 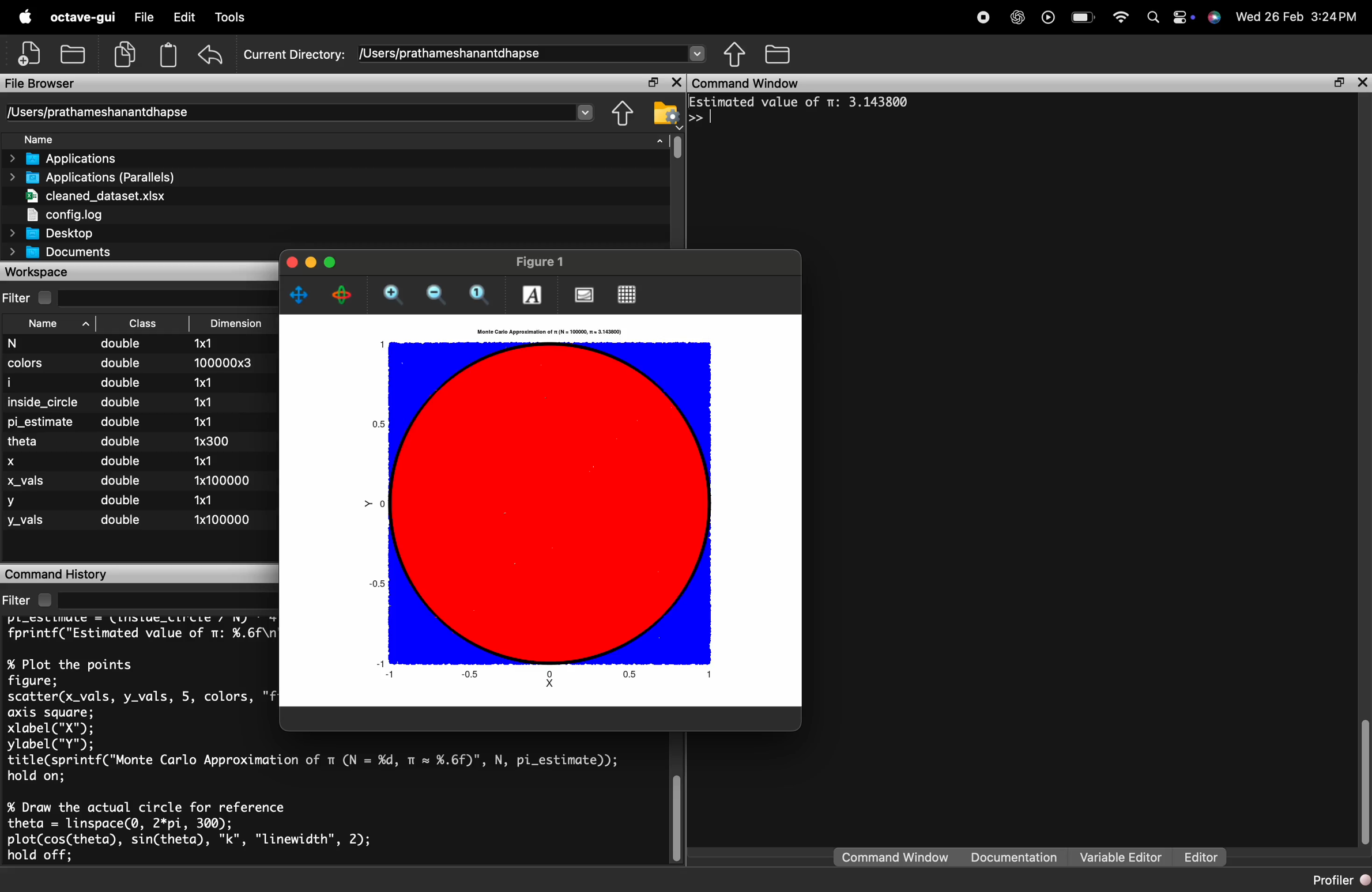 What do you see at coordinates (166, 599) in the screenshot?
I see `Search box` at bounding box center [166, 599].